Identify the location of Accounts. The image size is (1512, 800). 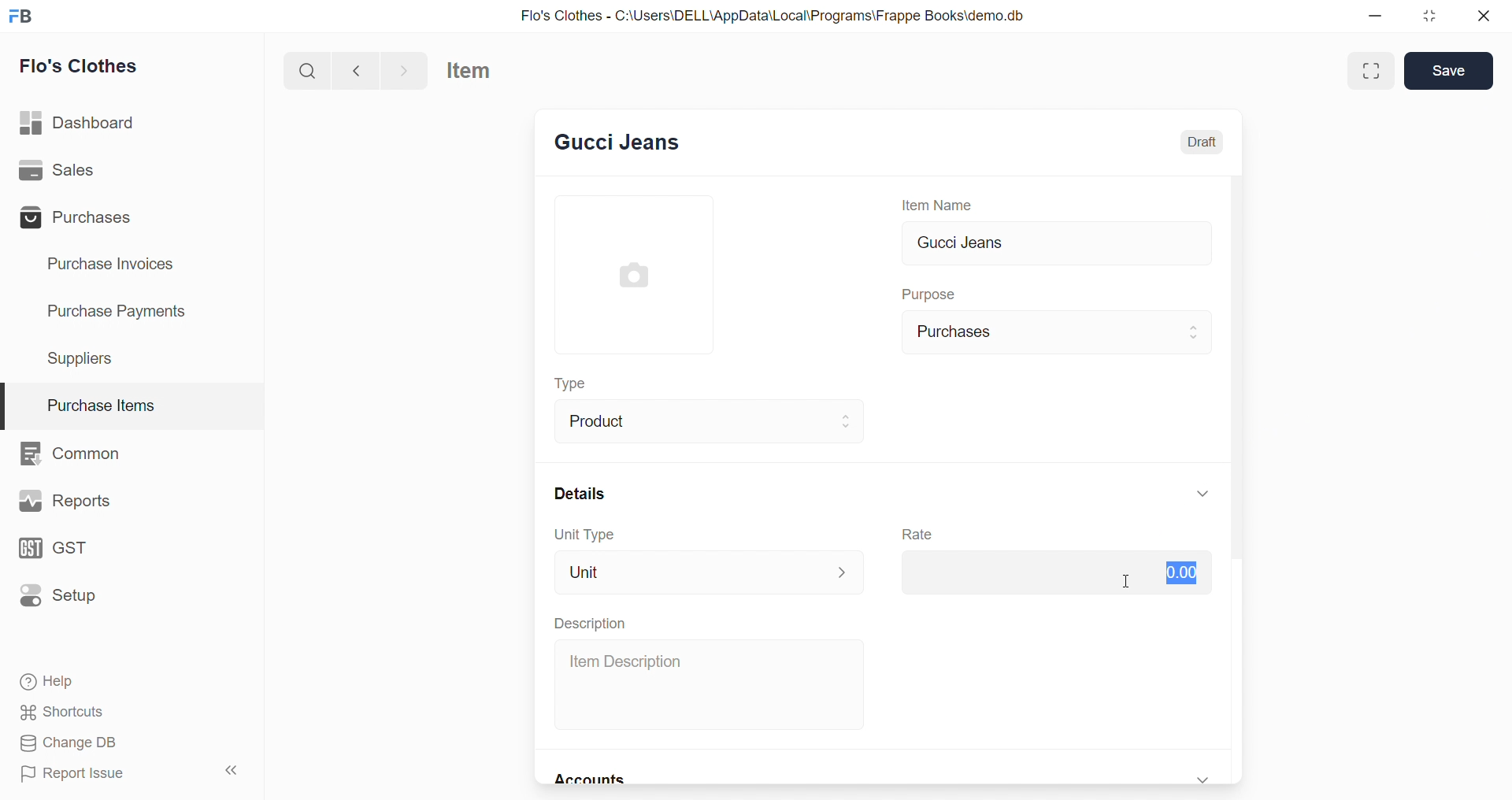
(595, 780).